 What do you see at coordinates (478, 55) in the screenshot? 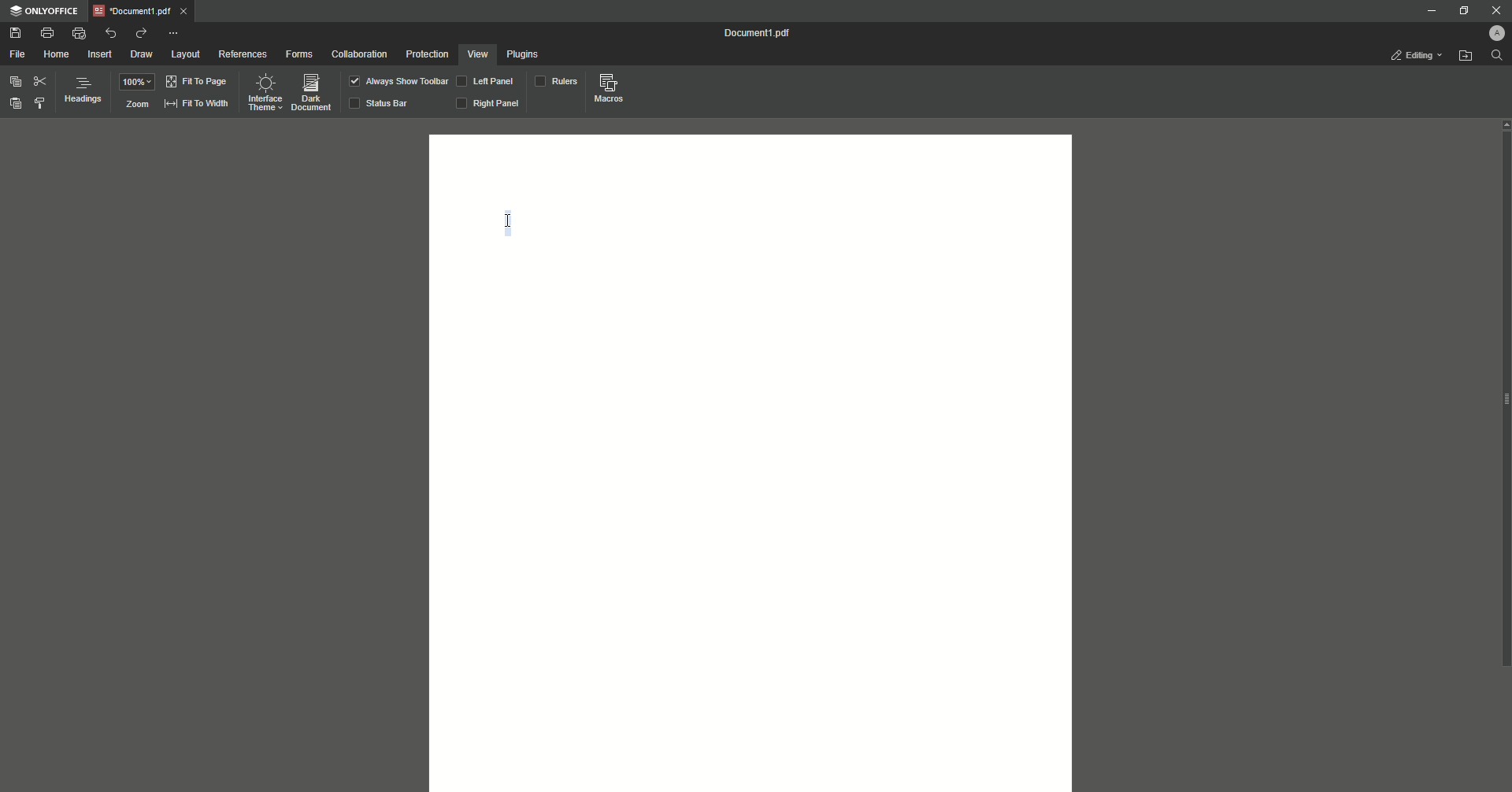
I see `View` at bounding box center [478, 55].